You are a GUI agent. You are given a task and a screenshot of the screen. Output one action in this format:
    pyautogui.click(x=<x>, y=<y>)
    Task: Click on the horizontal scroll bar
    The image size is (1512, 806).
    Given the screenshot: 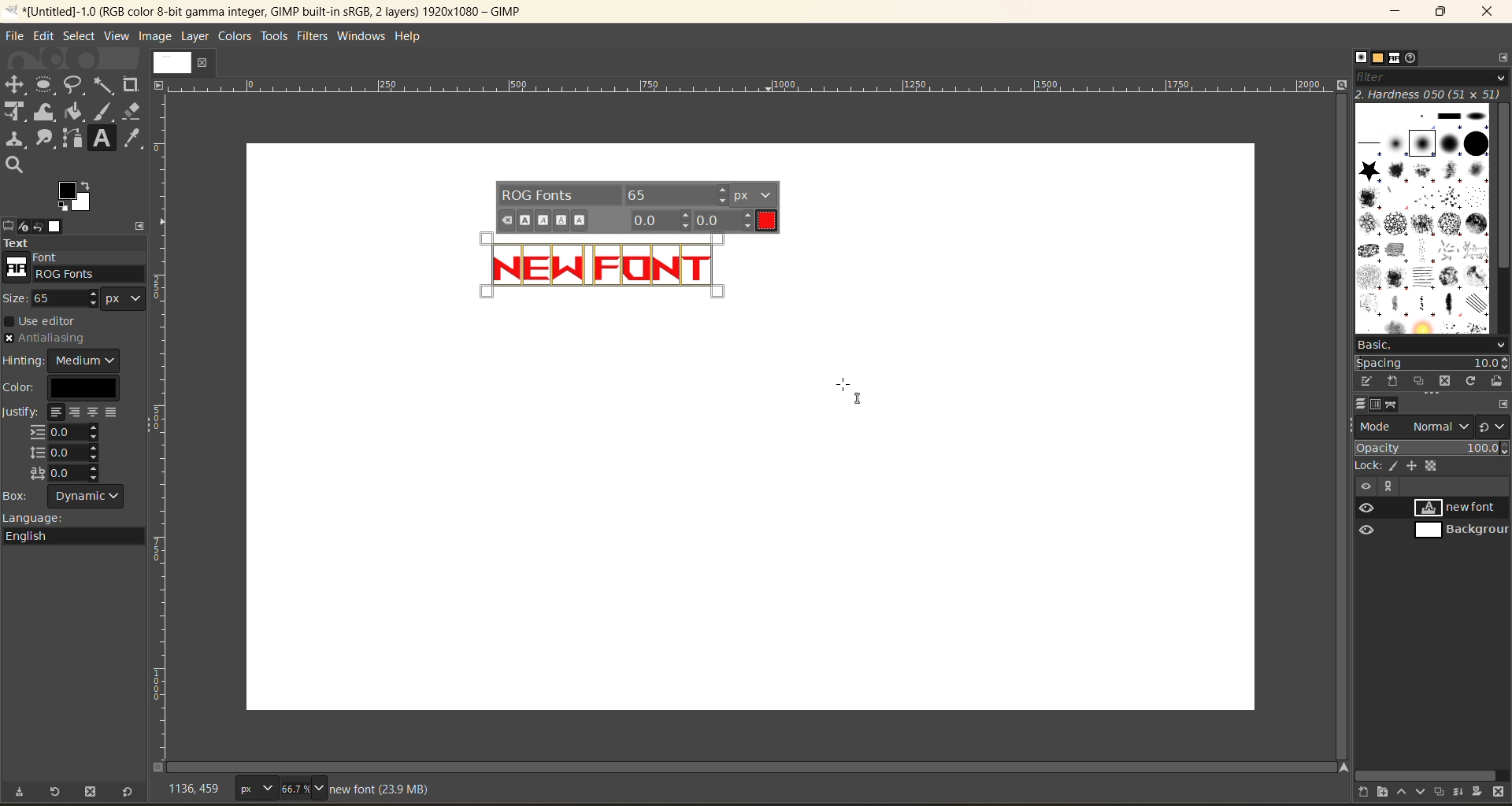 What is the action you would take?
    pyautogui.click(x=759, y=767)
    